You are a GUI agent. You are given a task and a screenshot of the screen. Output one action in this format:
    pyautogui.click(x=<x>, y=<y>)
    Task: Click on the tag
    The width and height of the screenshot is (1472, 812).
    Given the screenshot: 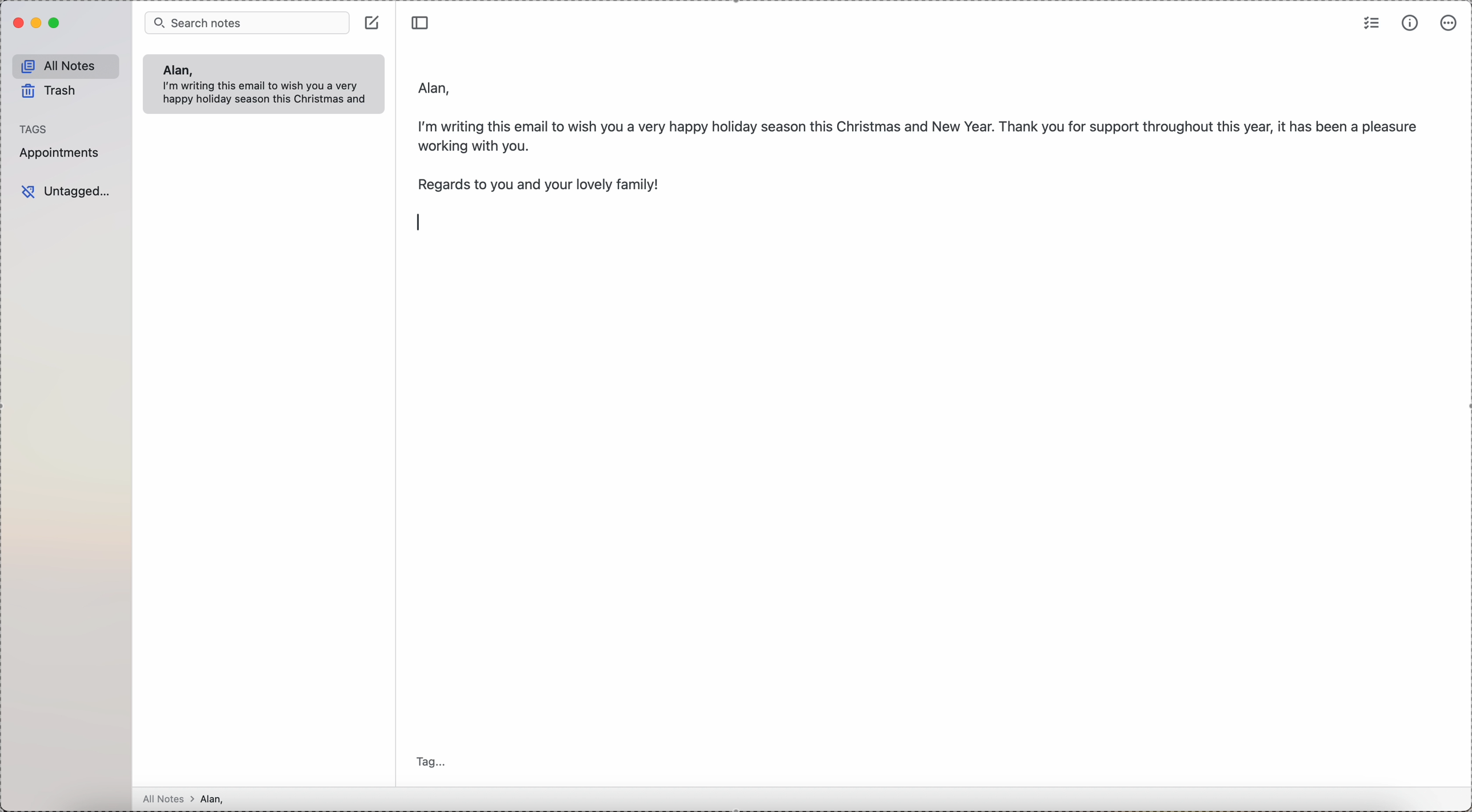 What is the action you would take?
    pyautogui.click(x=434, y=763)
    